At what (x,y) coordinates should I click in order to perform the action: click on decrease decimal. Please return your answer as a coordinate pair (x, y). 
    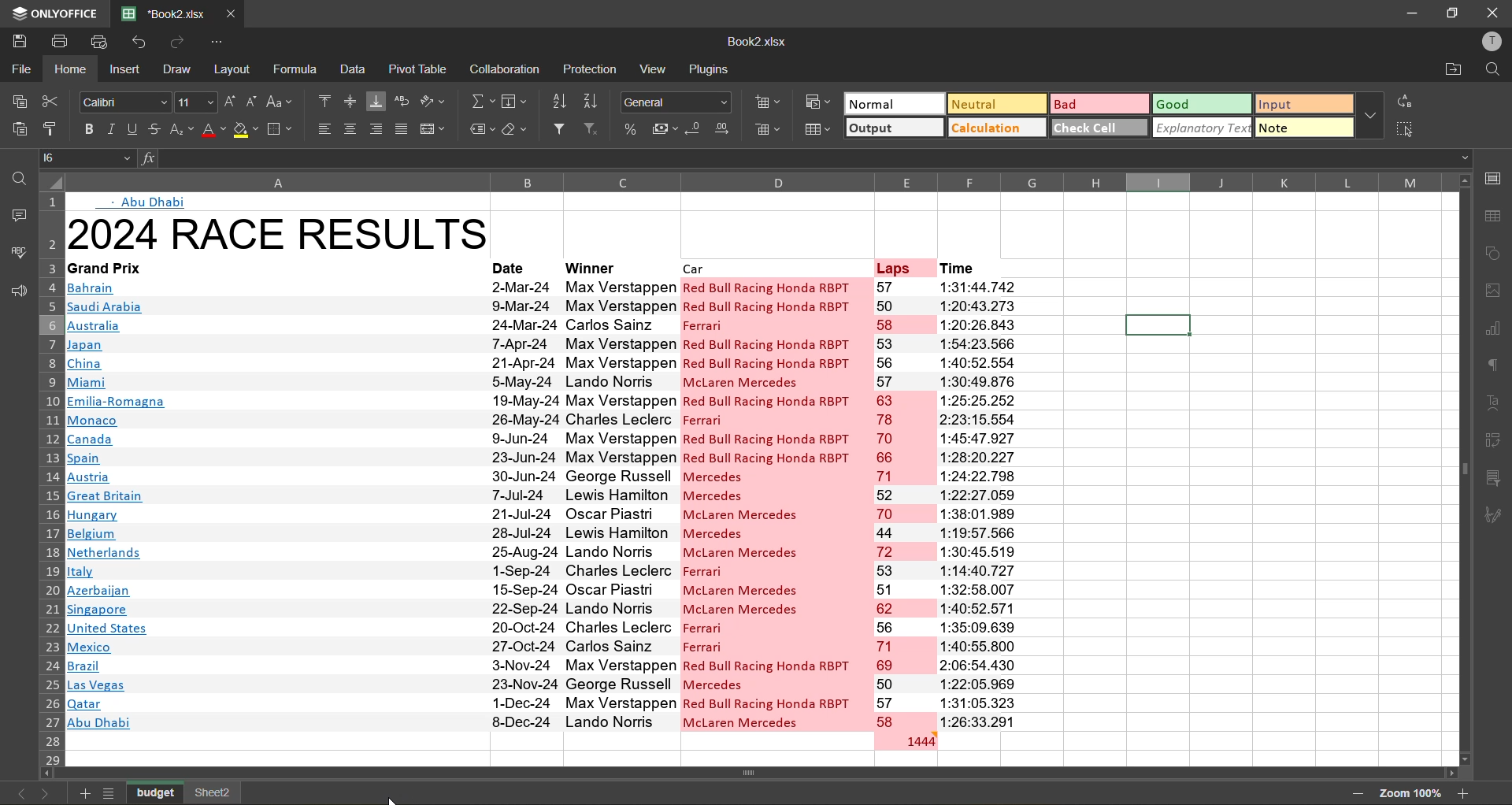
    Looking at the image, I should click on (695, 130).